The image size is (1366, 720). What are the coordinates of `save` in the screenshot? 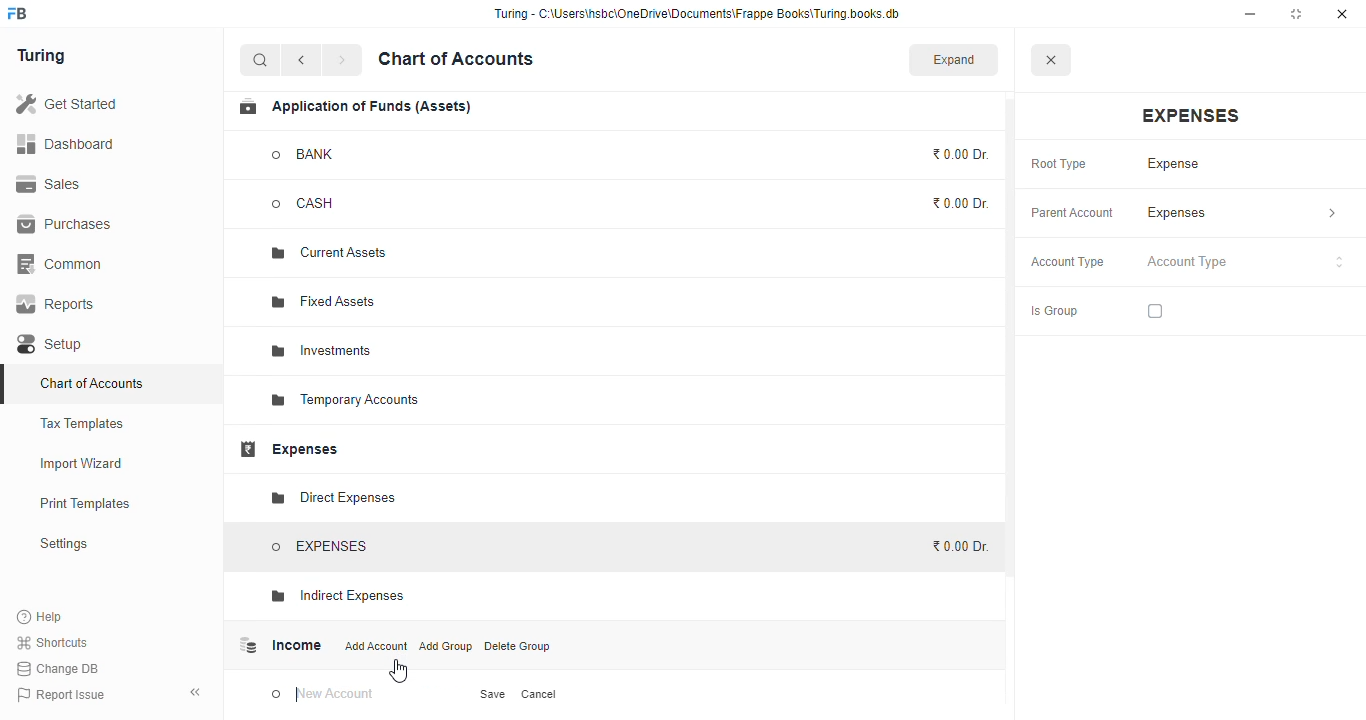 It's located at (494, 693).